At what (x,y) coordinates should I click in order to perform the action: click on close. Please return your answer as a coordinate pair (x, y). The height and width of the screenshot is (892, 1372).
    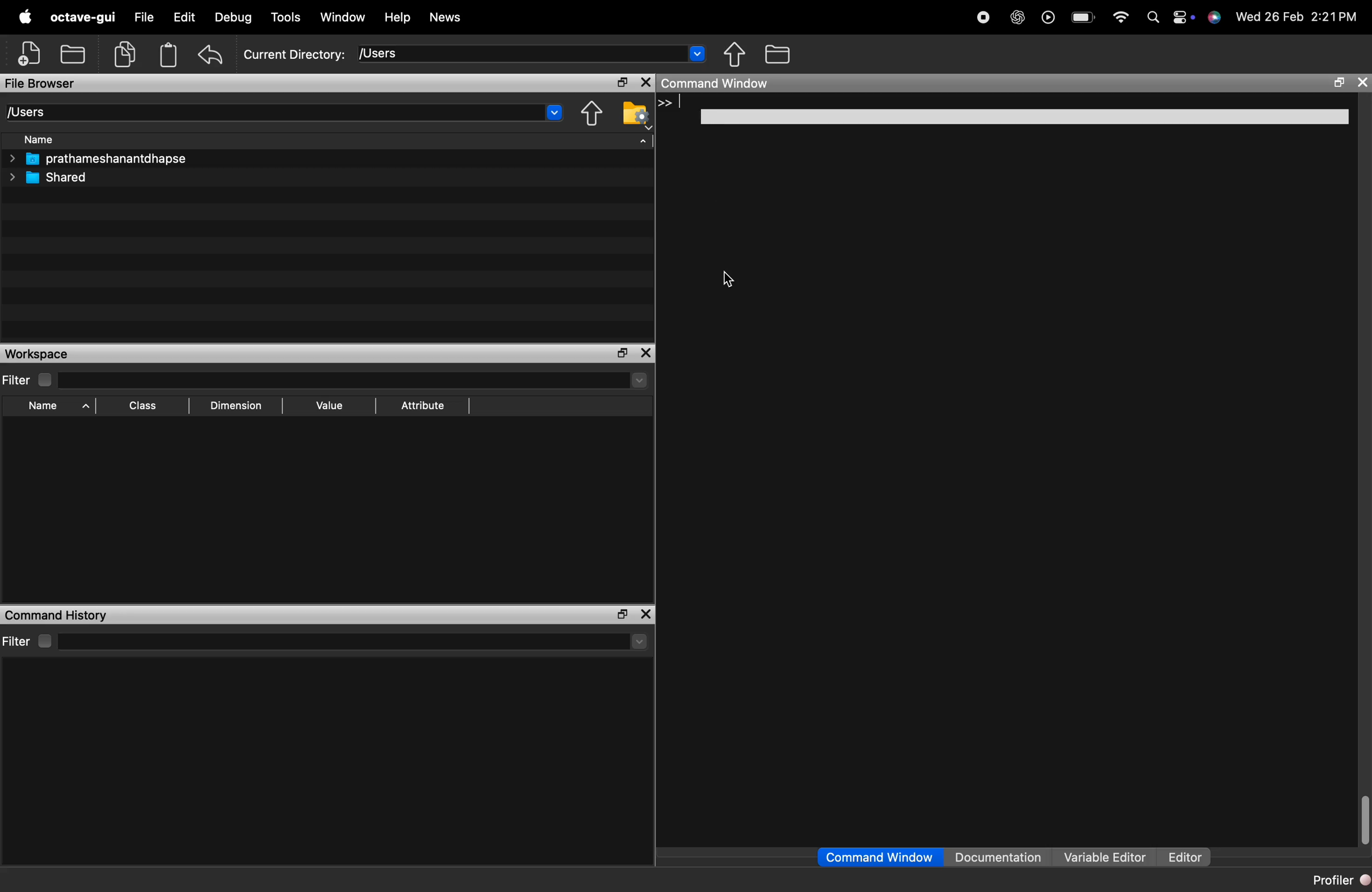
    Looking at the image, I should click on (1362, 83).